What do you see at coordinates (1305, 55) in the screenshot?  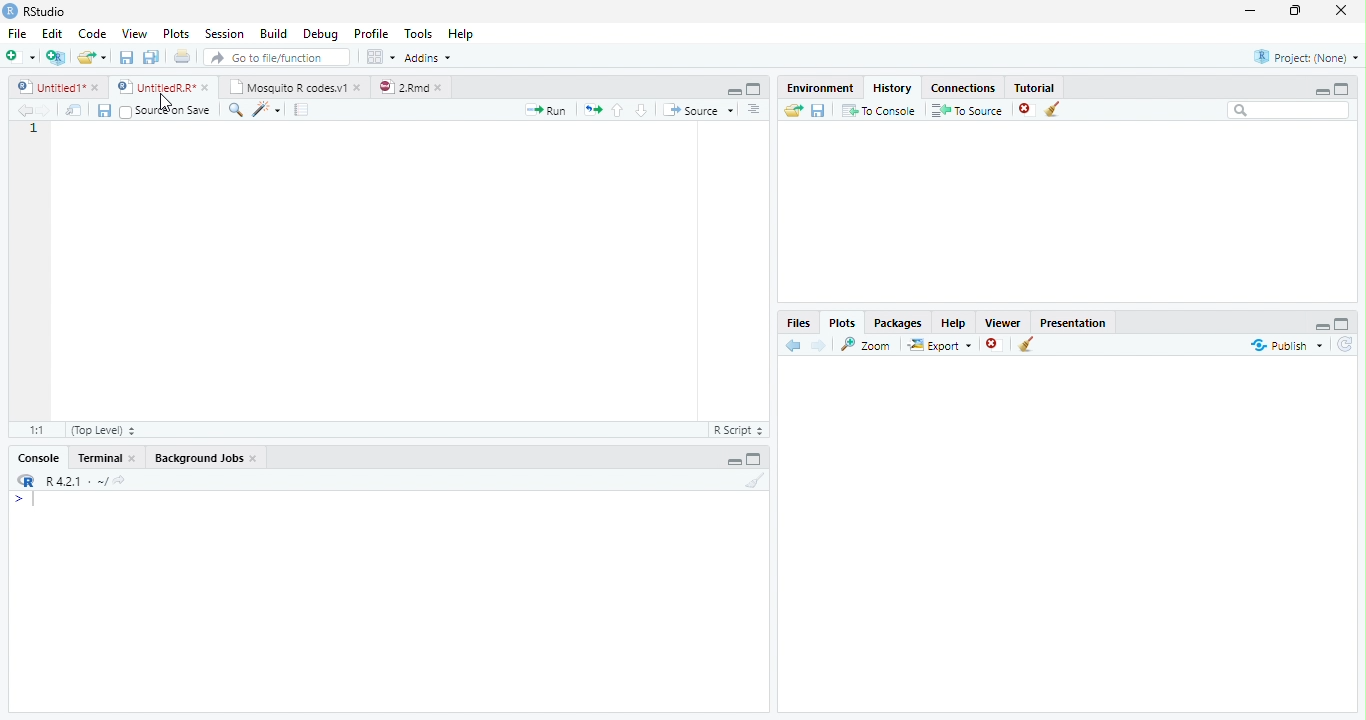 I see `Project: (None)` at bounding box center [1305, 55].